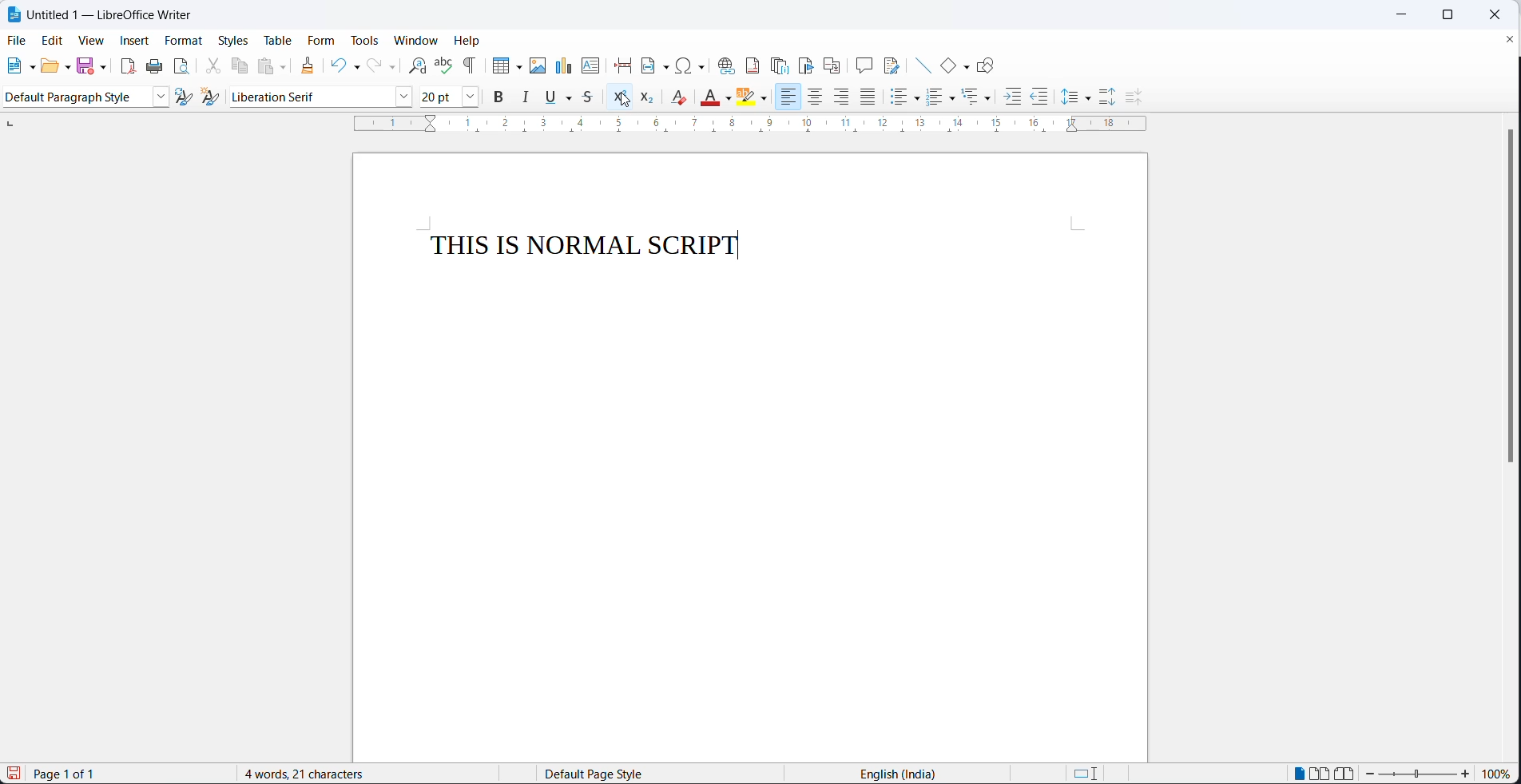  I want to click on clone formatting, so click(312, 66).